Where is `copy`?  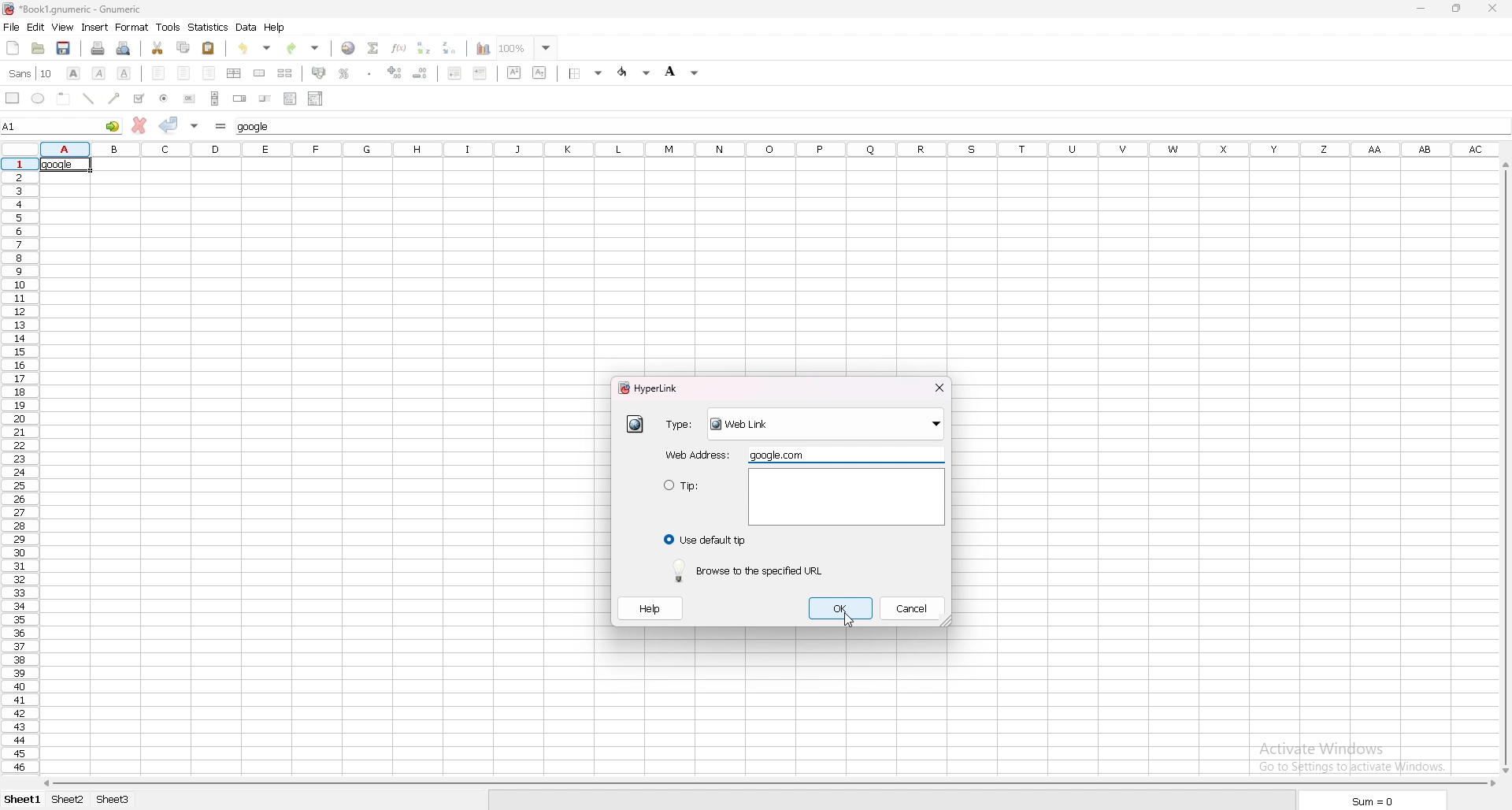
copy is located at coordinates (183, 47).